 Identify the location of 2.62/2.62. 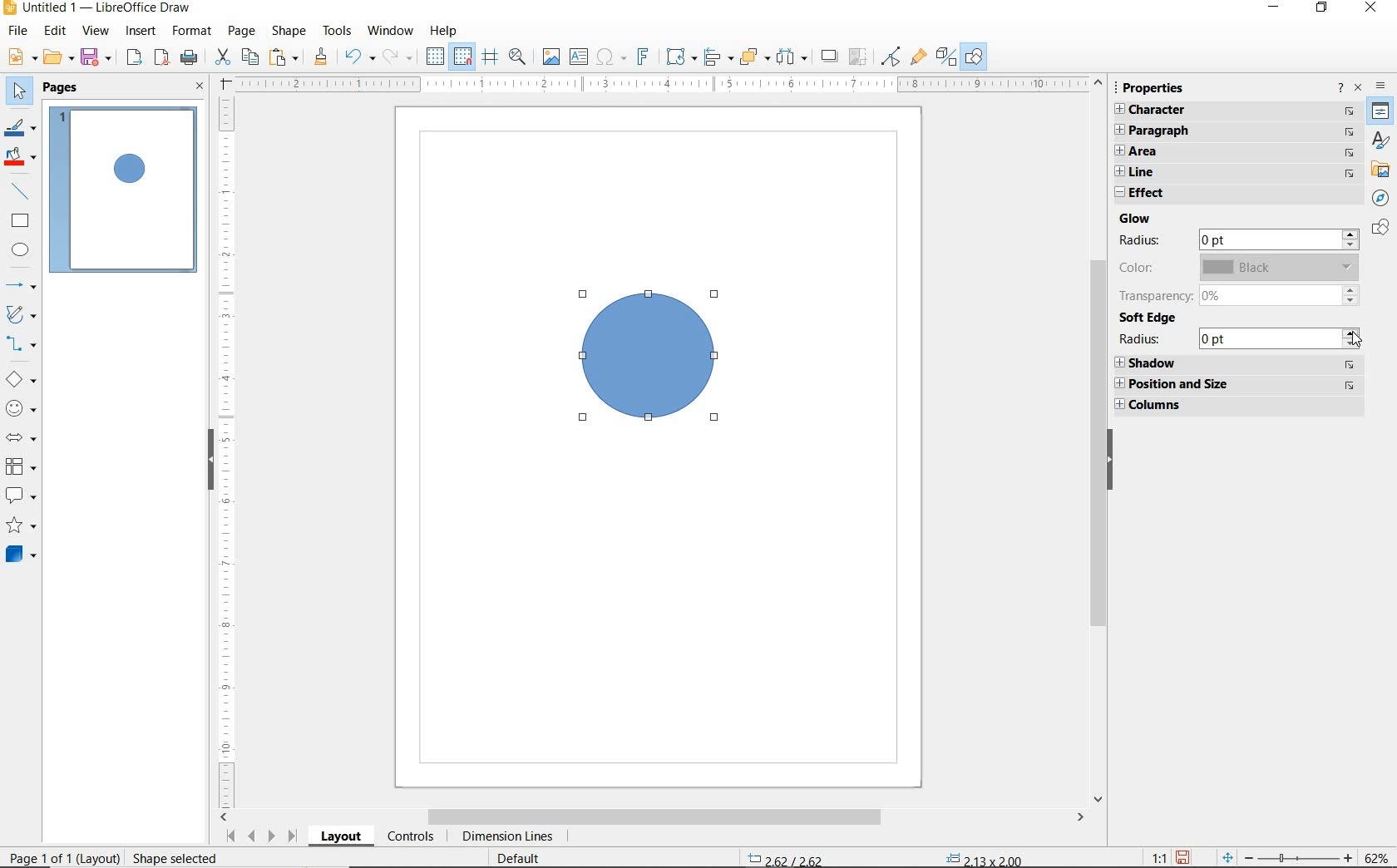
(787, 859).